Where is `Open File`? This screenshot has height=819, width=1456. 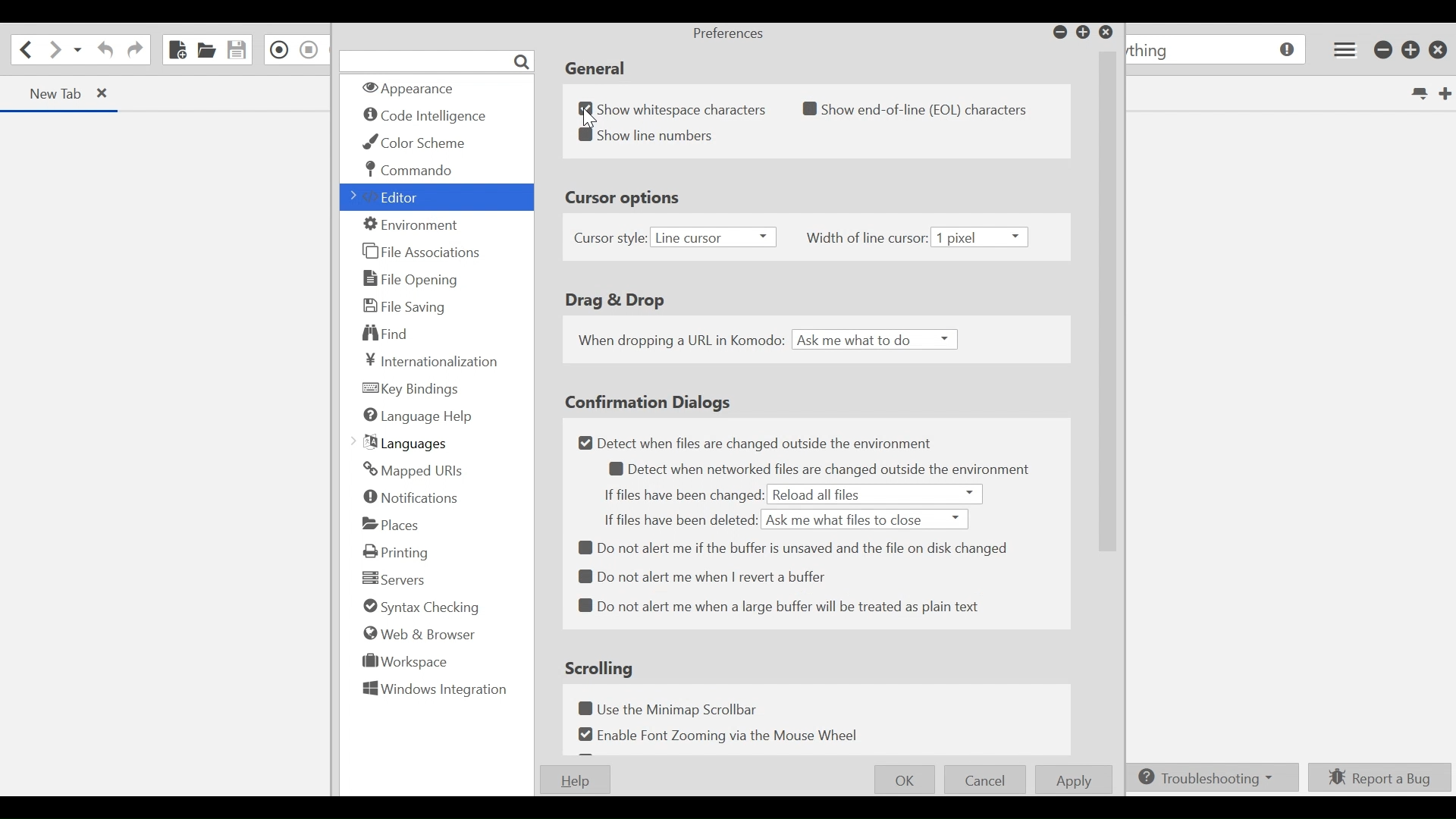
Open File is located at coordinates (206, 49).